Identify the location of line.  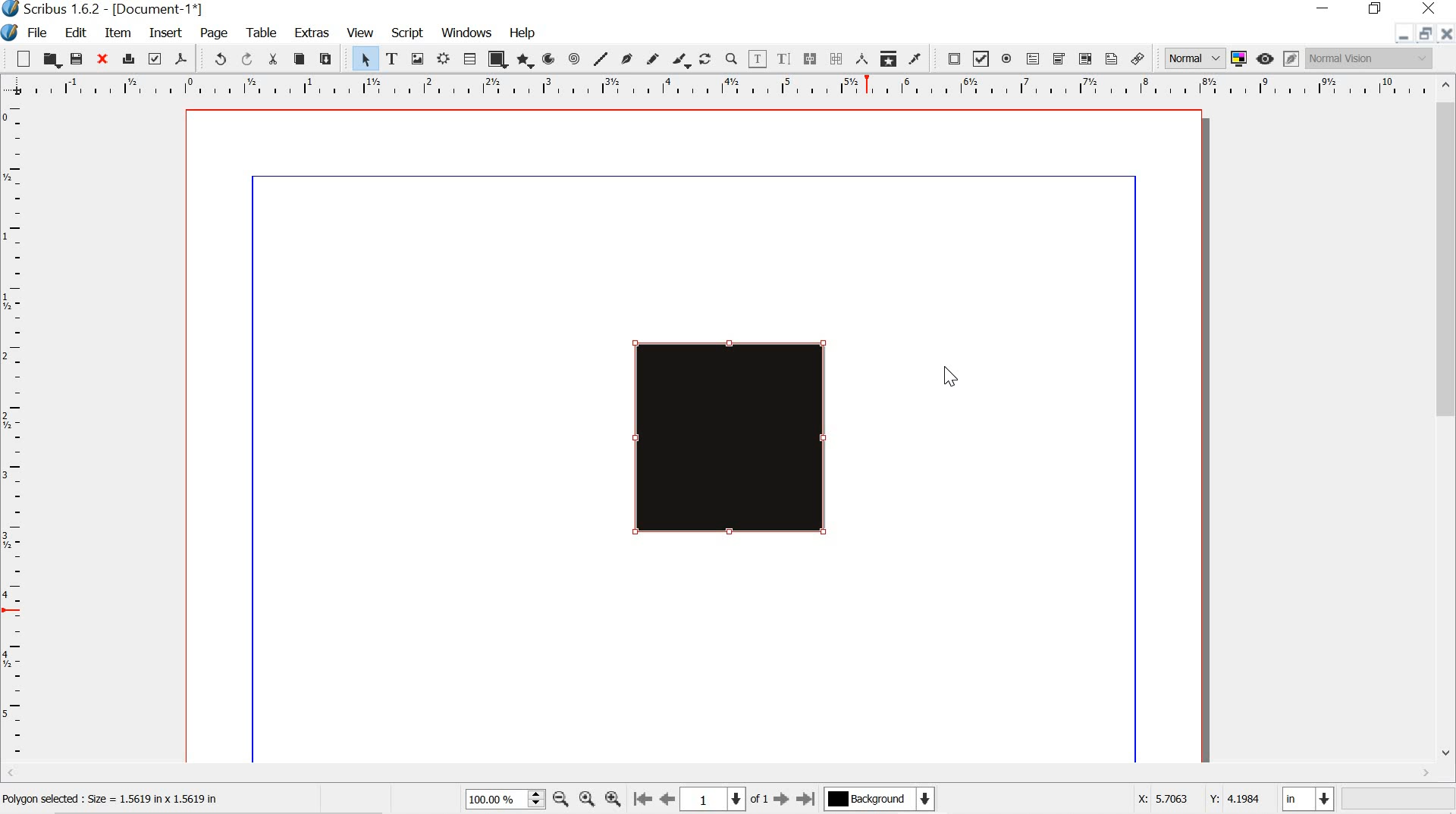
(601, 58).